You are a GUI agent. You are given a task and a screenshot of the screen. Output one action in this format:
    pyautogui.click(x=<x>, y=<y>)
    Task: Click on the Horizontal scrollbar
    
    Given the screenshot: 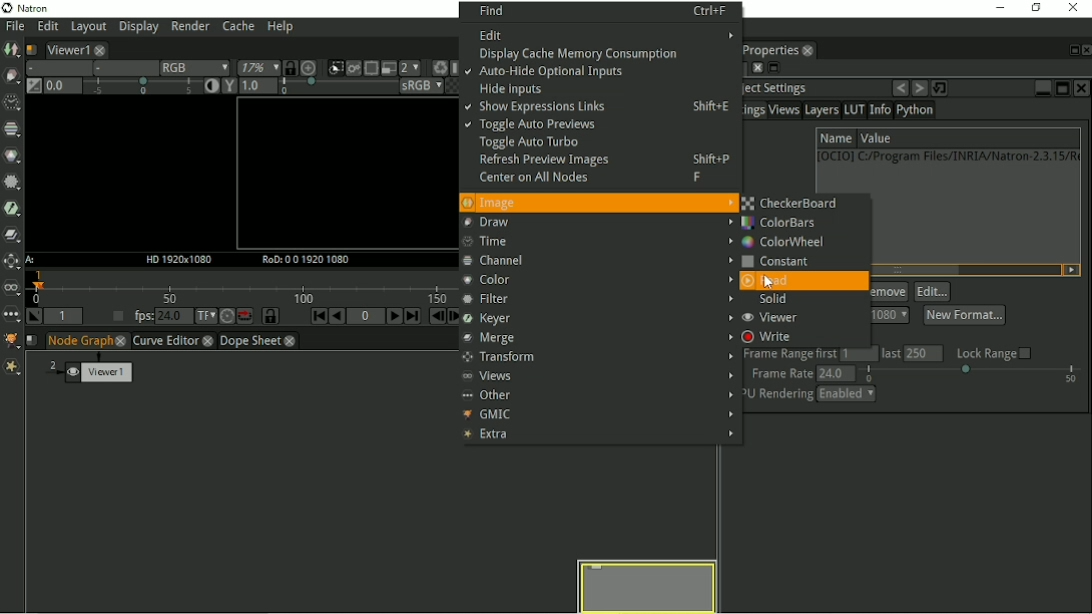 What is the action you would take?
    pyautogui.click(x=913, y=270)
    